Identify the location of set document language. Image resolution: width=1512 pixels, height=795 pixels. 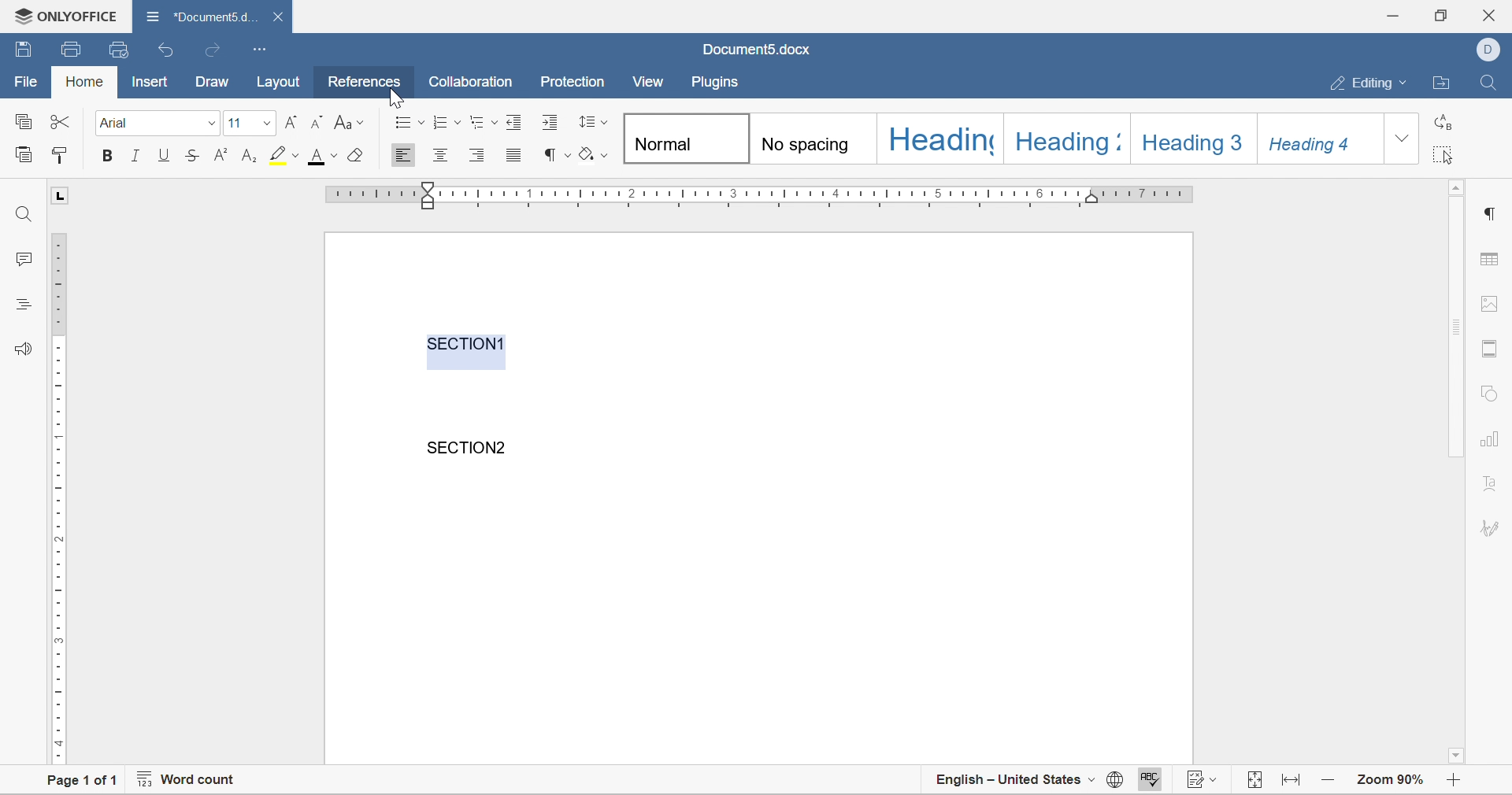
(1114, 783).